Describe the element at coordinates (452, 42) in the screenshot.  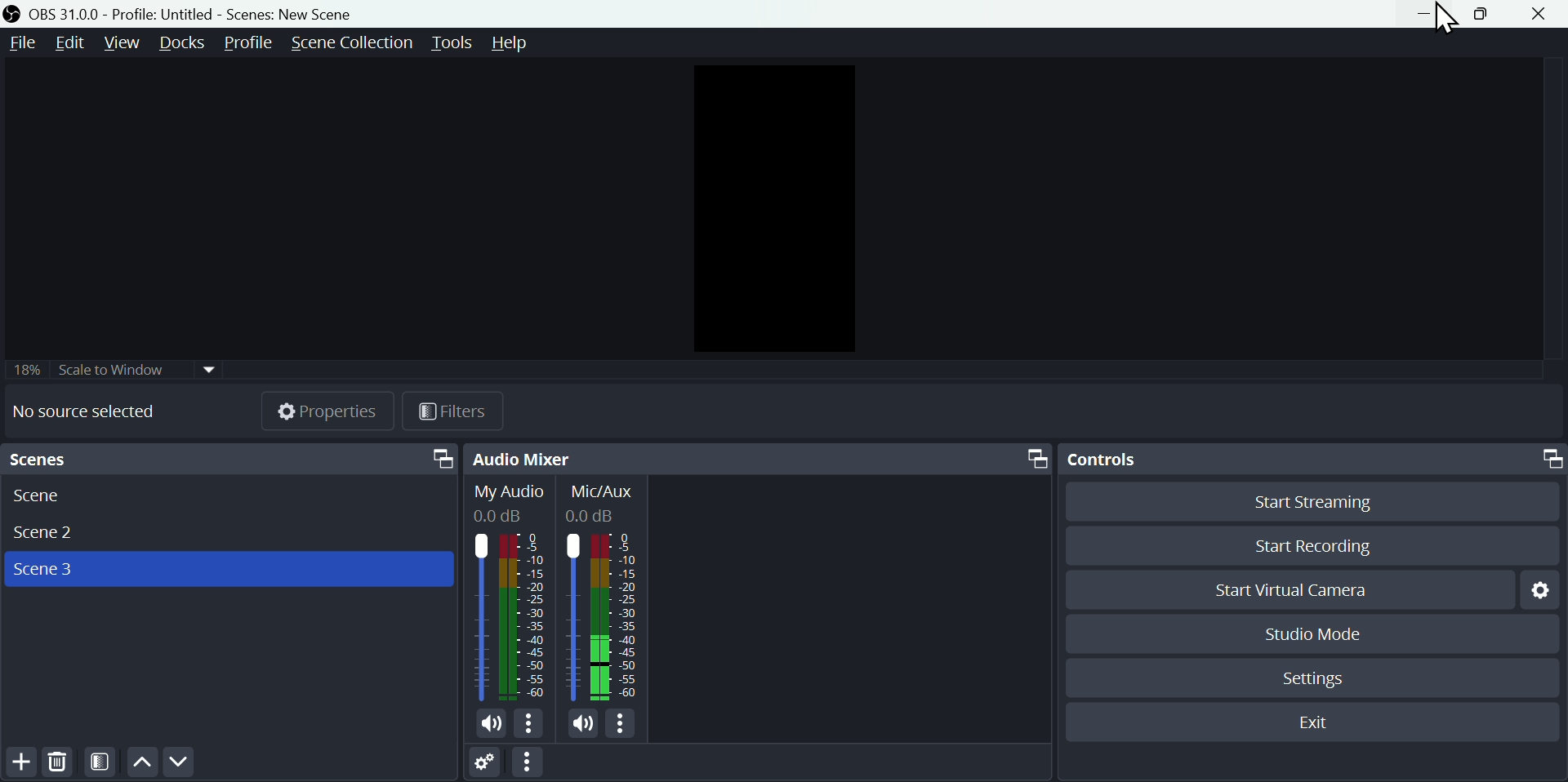
I see `Tools` at that location.